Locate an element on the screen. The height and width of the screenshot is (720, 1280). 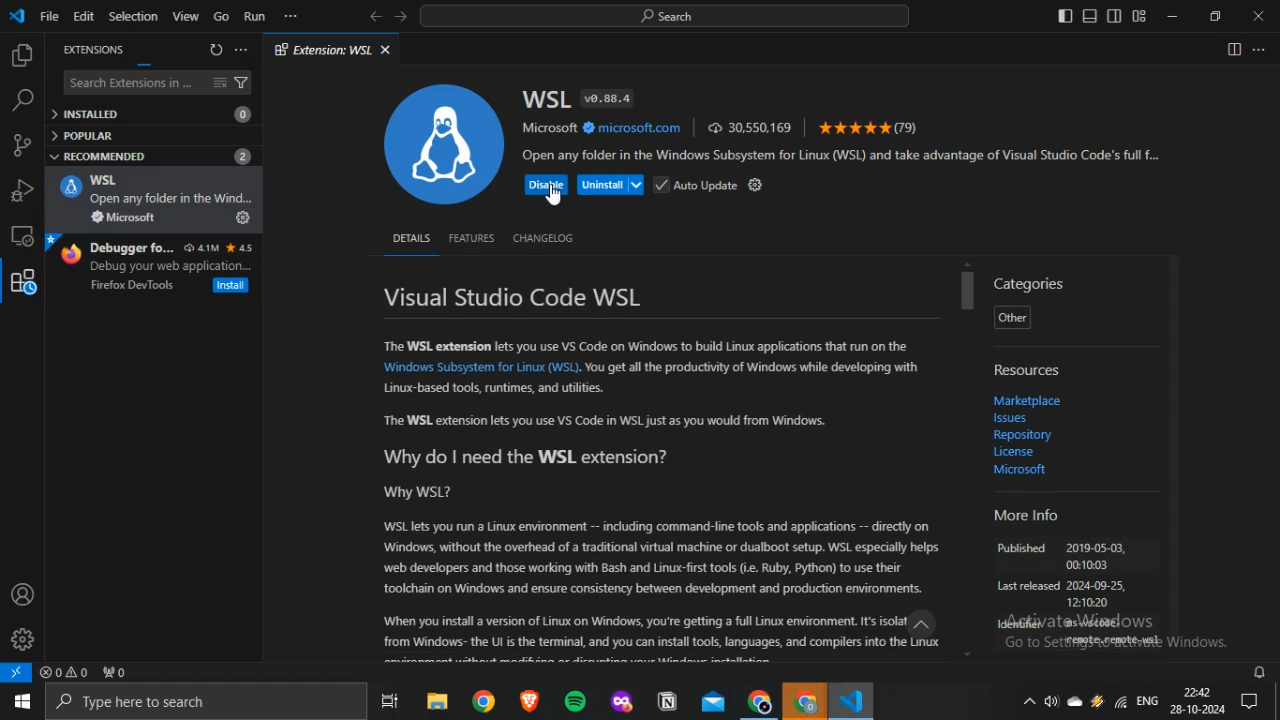
explorer is located at coordinates (21, 56).